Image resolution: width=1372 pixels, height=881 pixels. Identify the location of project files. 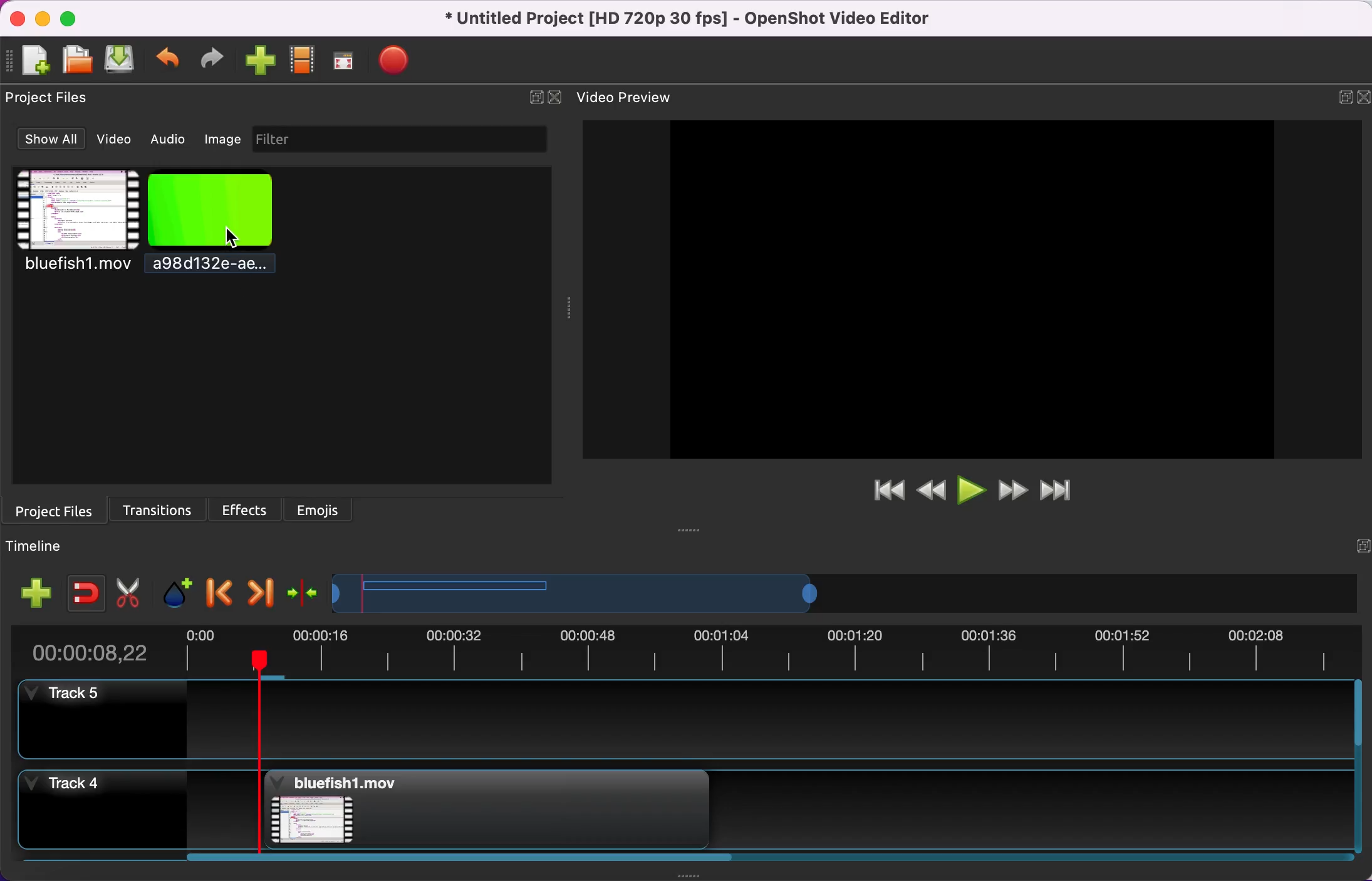
(61, 510).